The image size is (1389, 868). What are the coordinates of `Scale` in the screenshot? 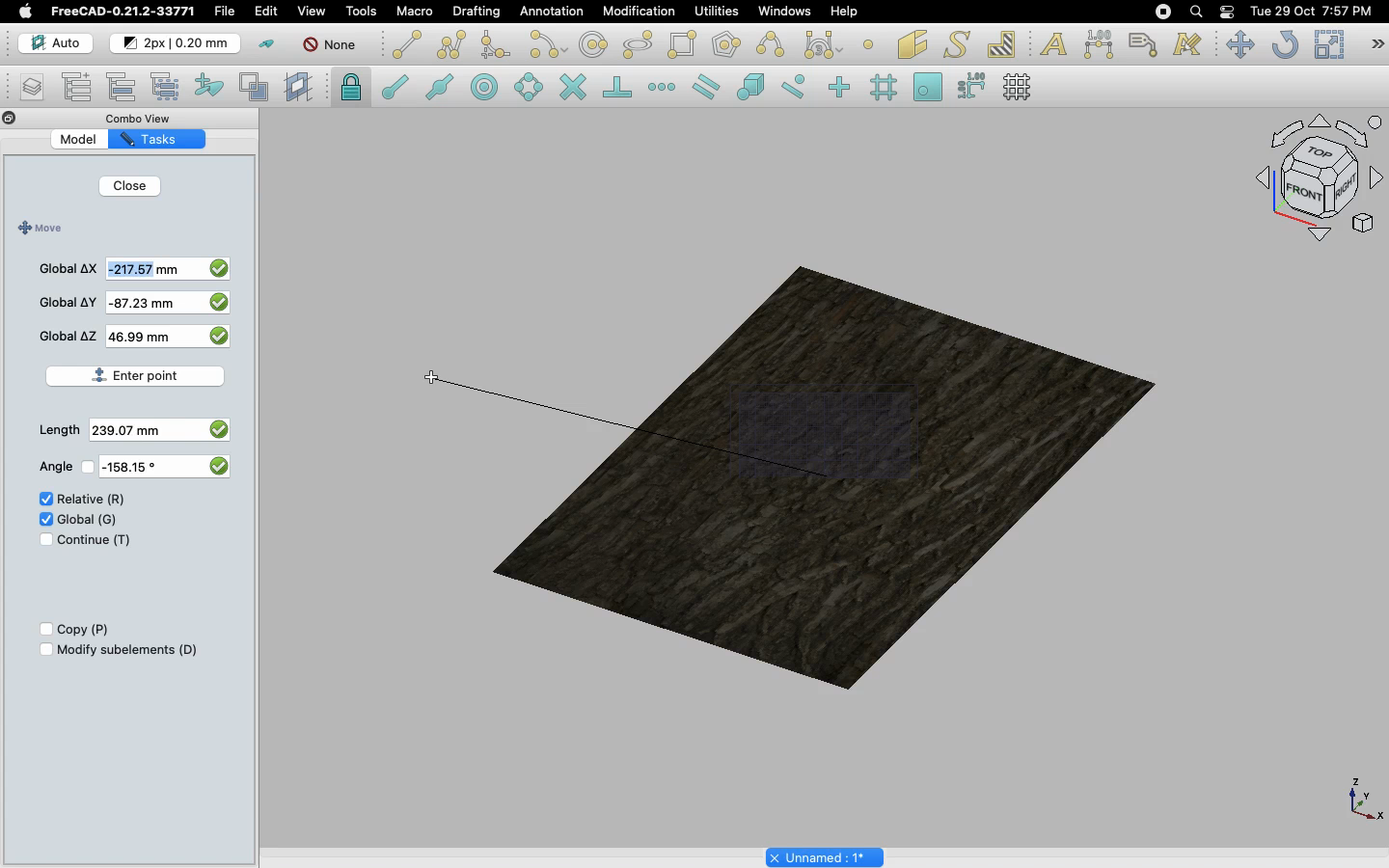 It's located at (1328, 44).